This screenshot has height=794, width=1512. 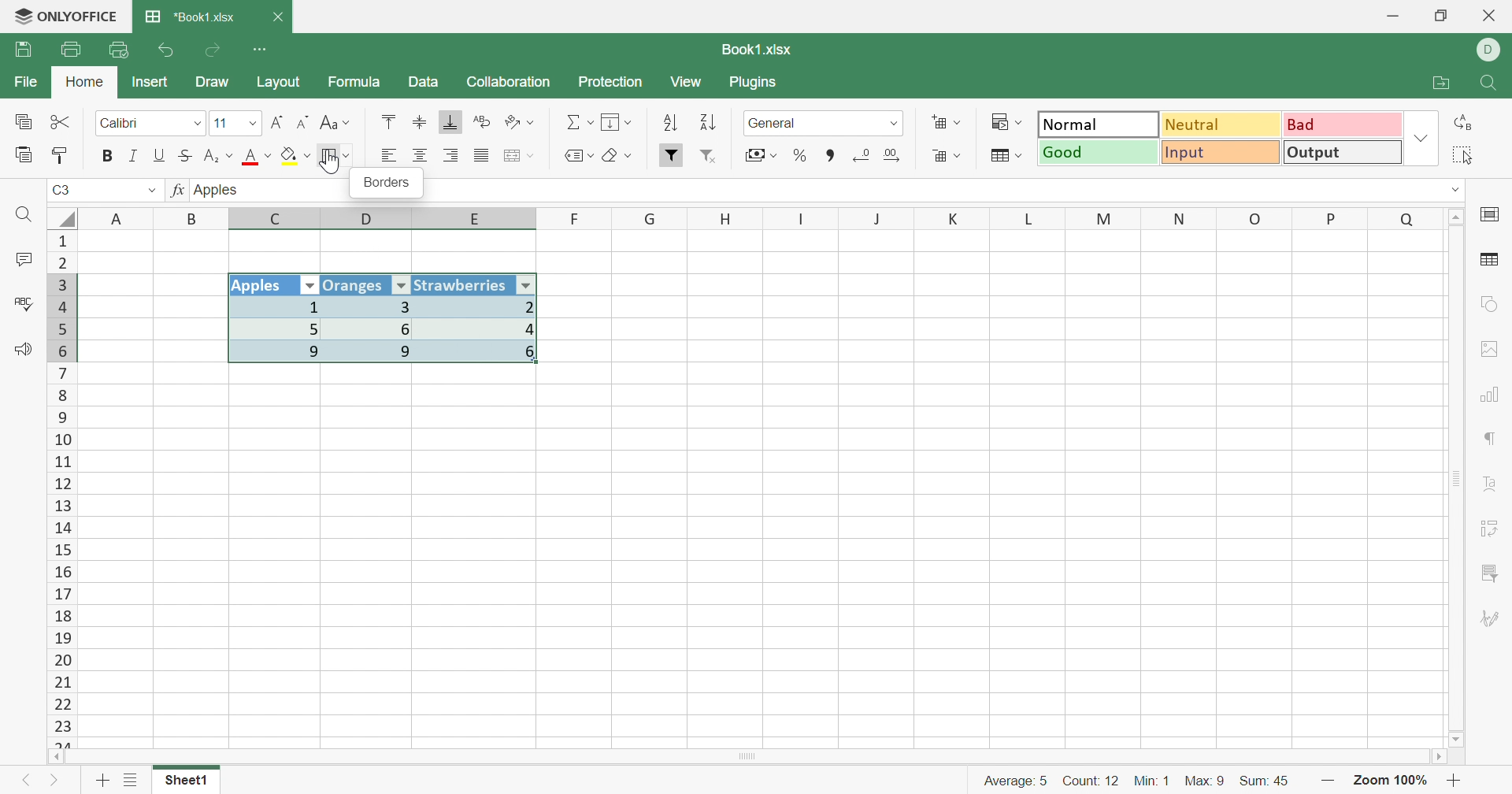 I want to click on J, so click(x=879, y=219).